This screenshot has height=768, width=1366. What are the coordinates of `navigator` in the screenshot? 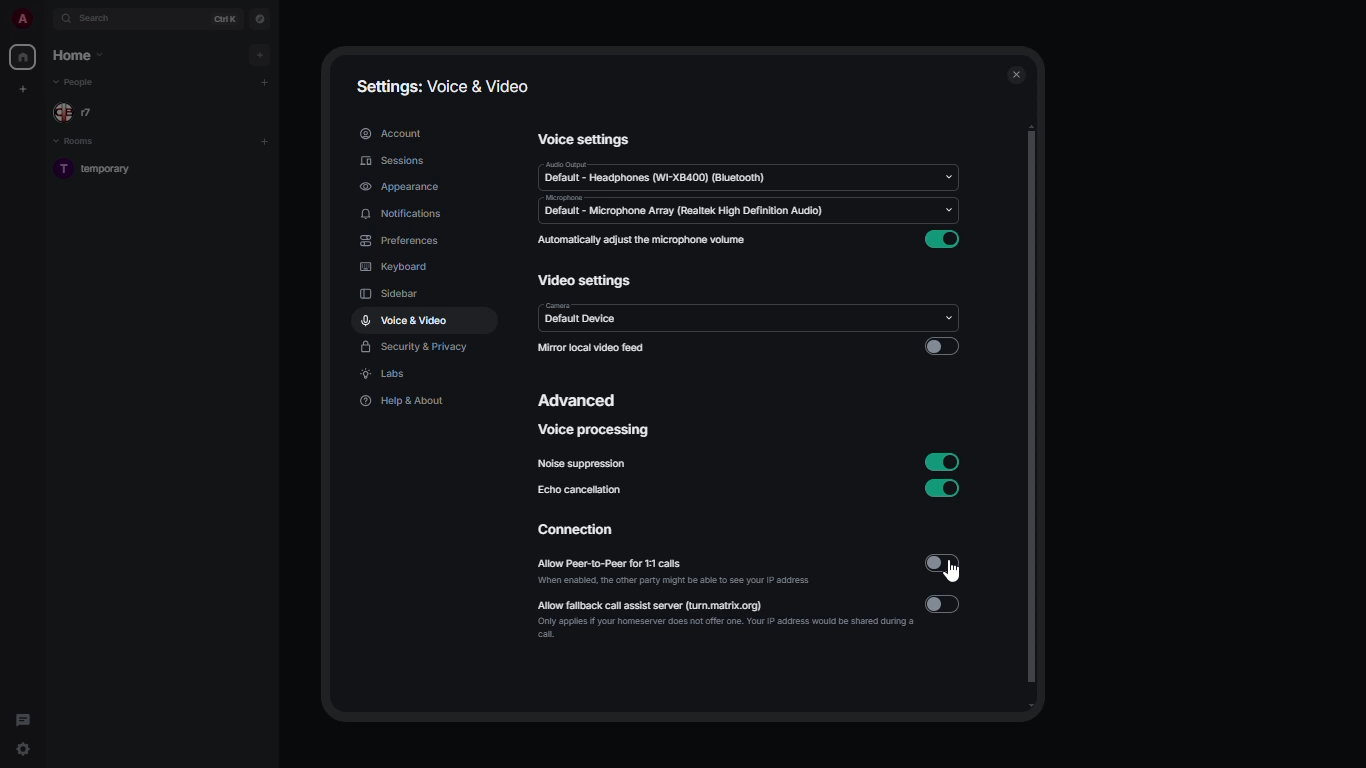 It's located at (259, 18).